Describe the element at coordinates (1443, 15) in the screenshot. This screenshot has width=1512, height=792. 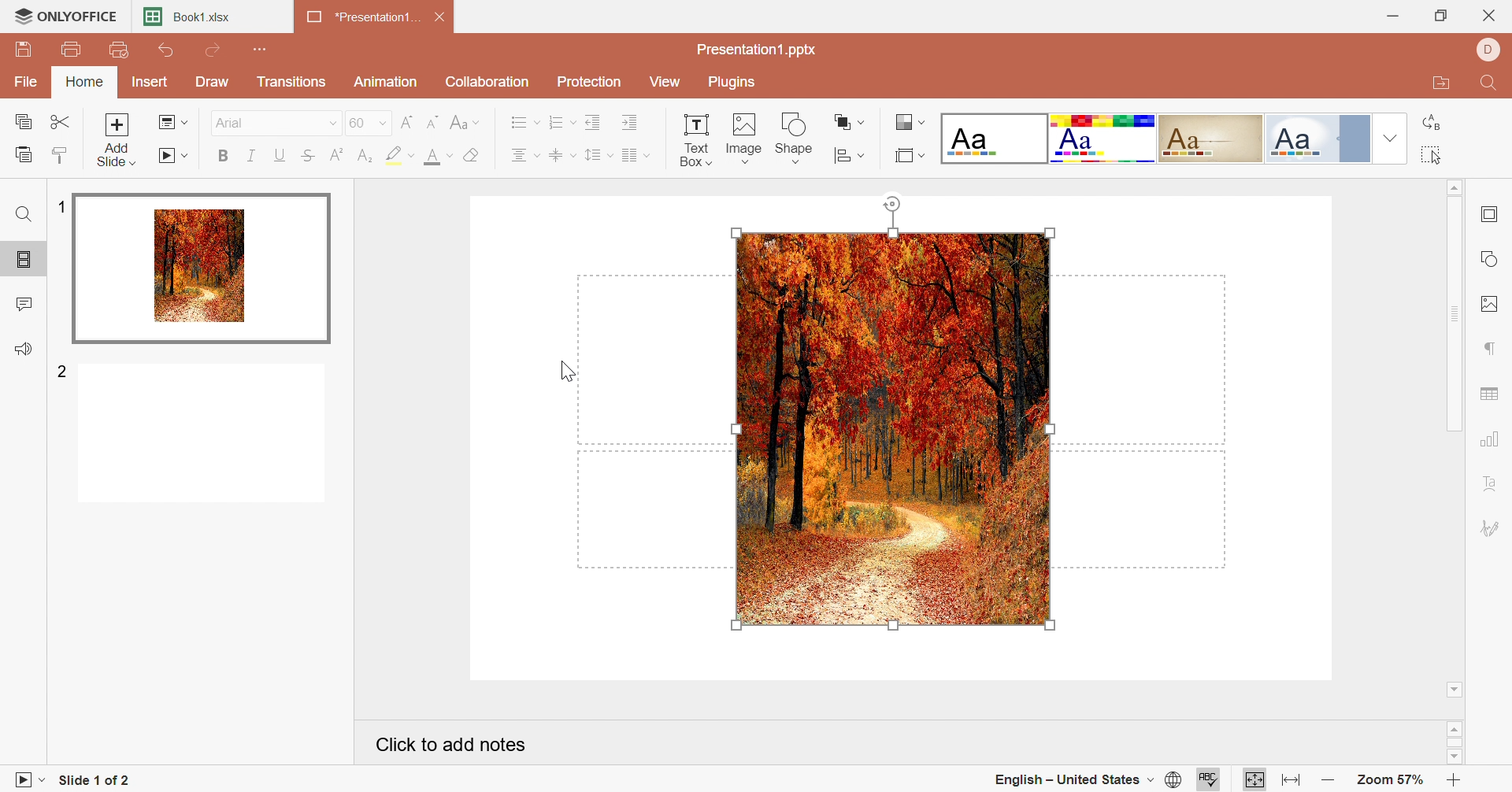
I see `Restore Down` at that location.